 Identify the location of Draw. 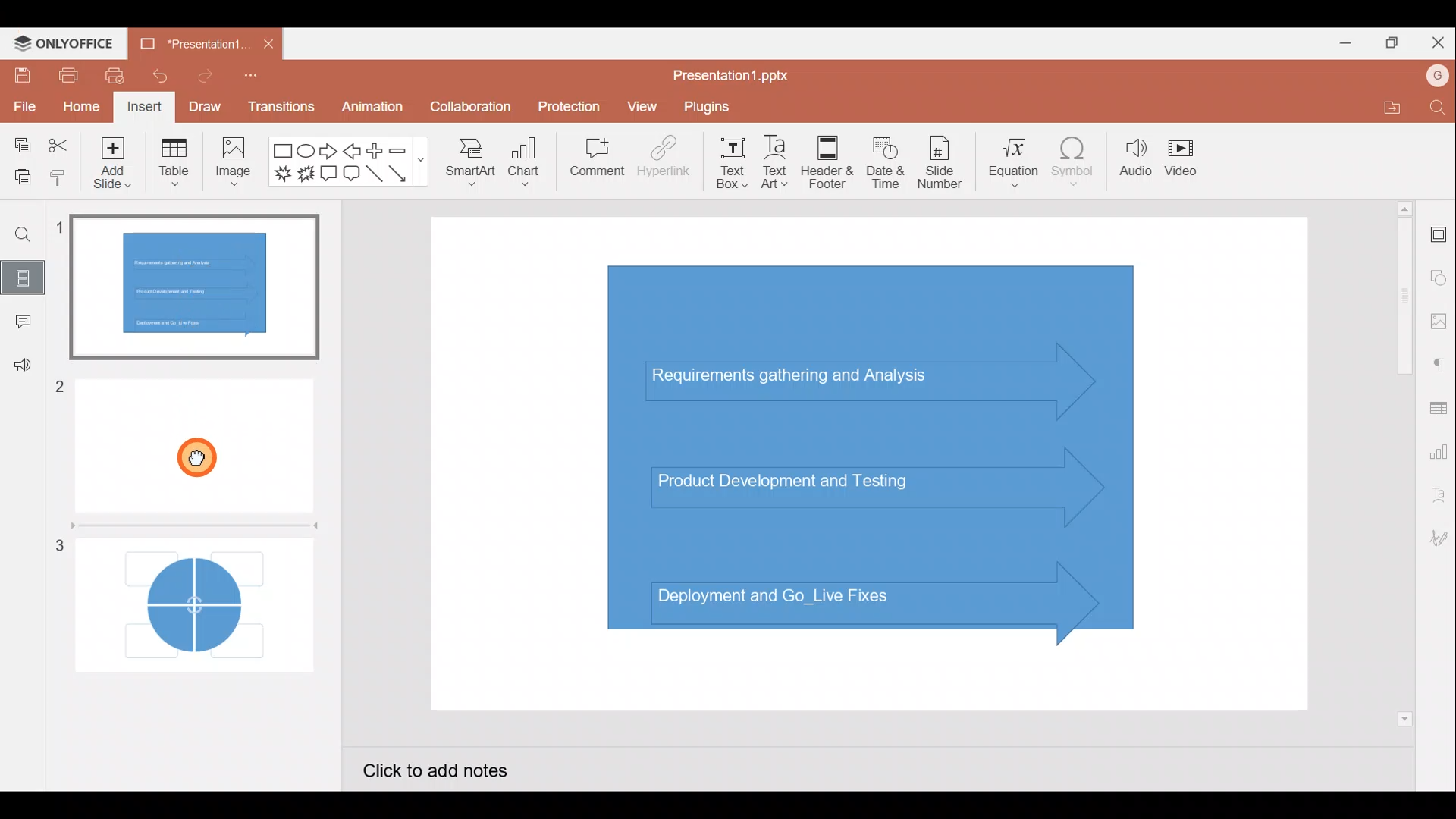
(203, 105).